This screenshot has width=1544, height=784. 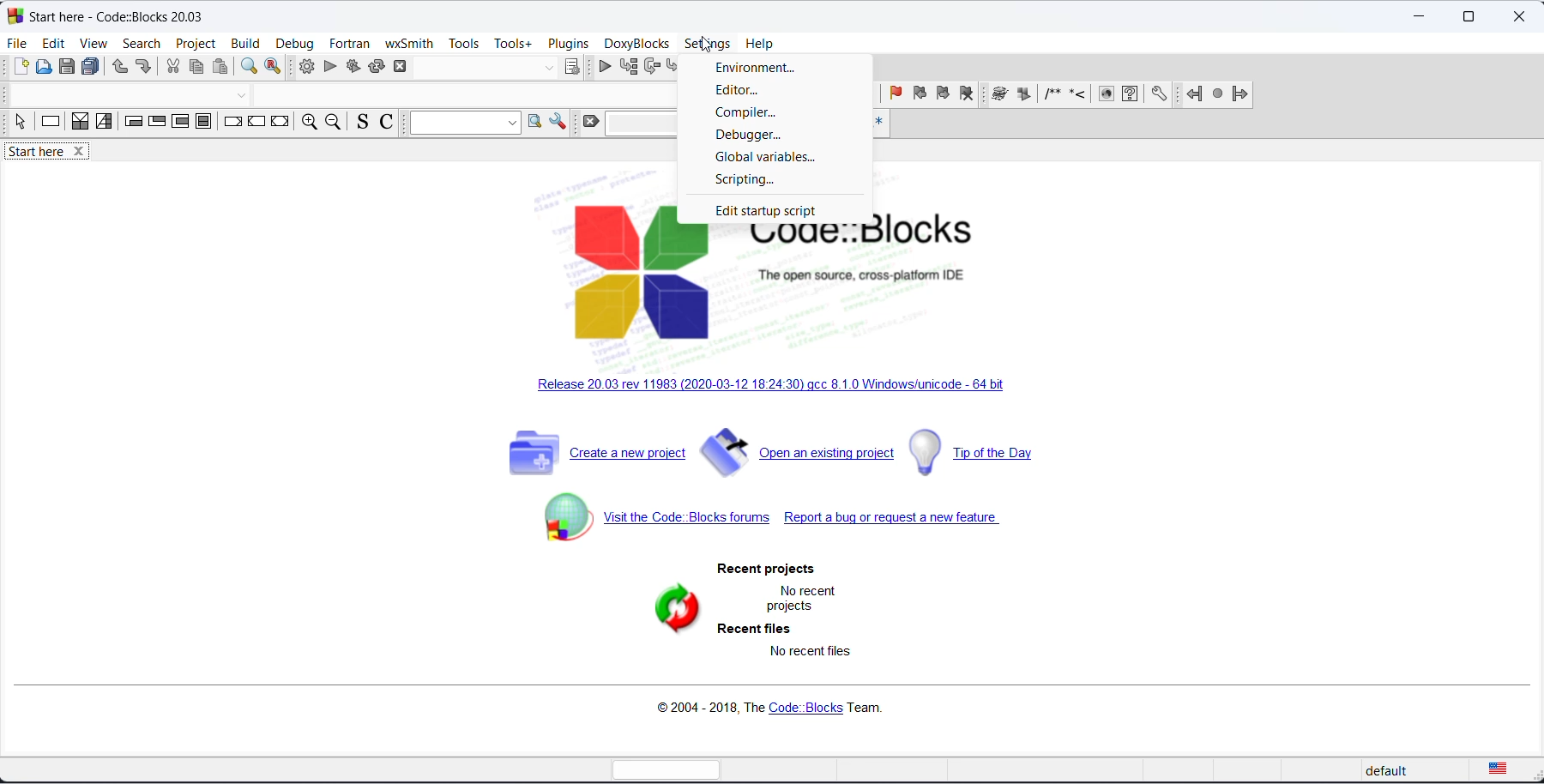 What do you see at coordinates (250, 67) in the screenshot?
I see `find` at bounding box center [250, 67].